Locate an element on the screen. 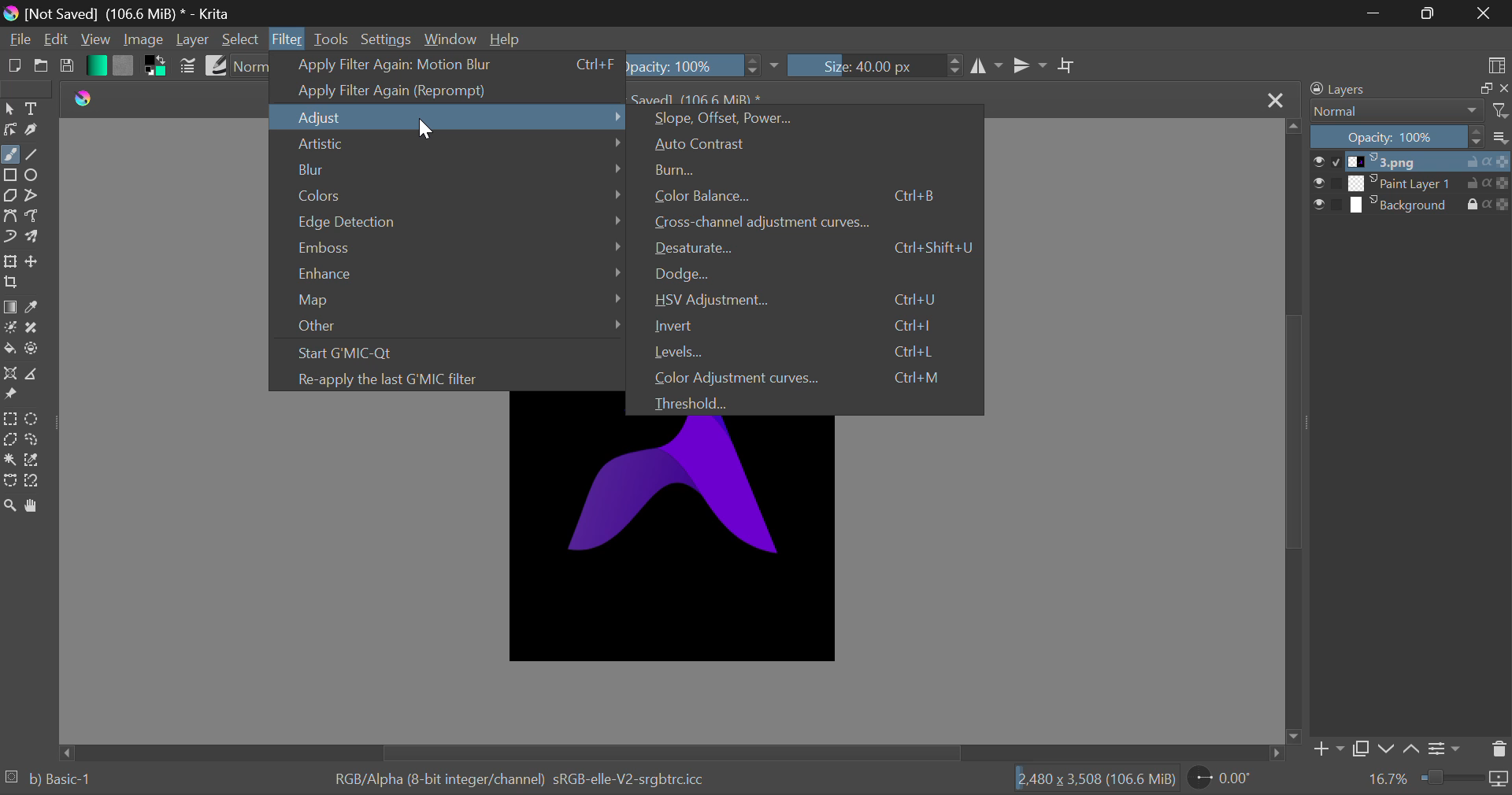  Polylines is located at coordinates (32, 198).